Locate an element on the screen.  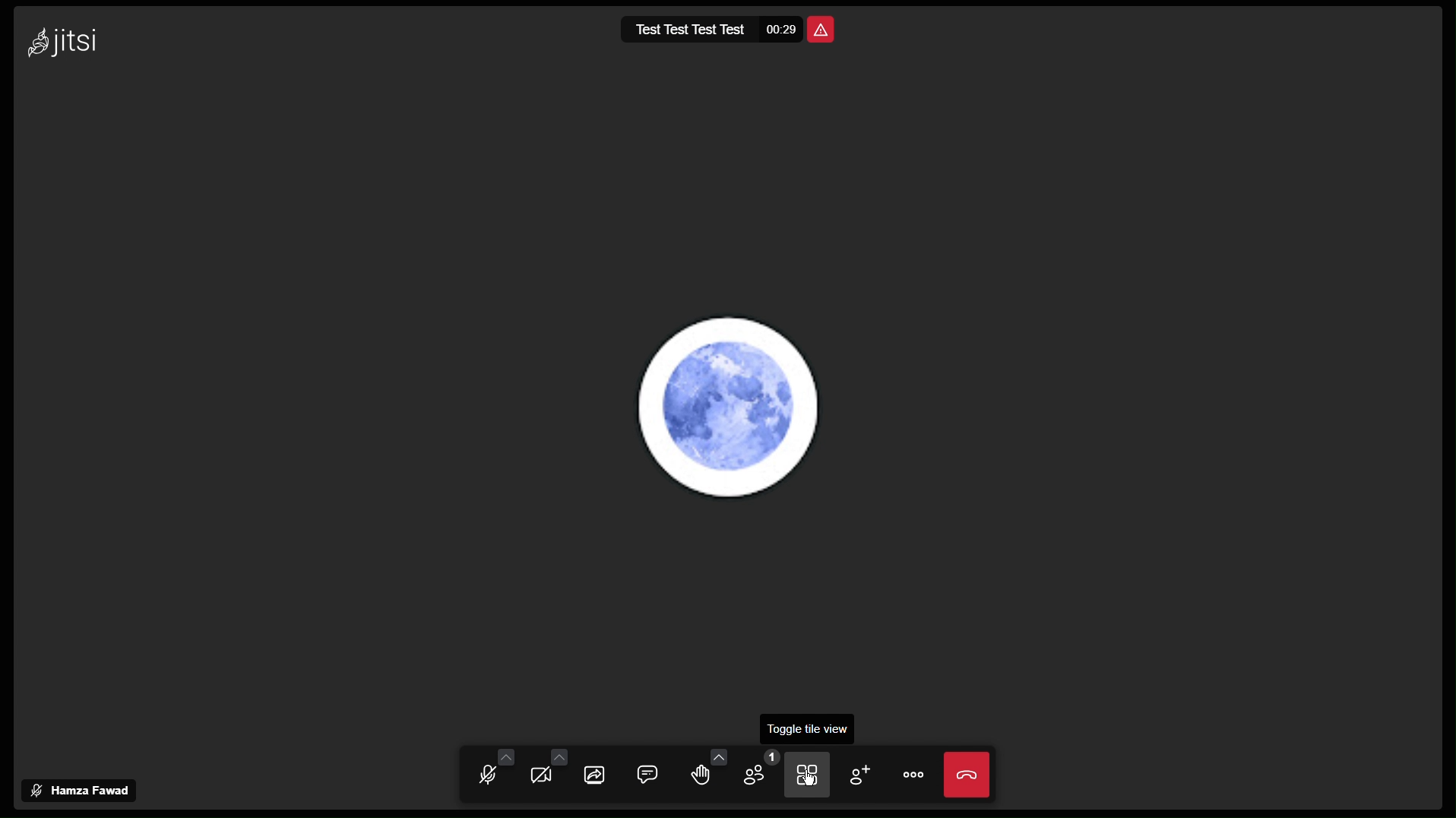
Audio is located at coordinates (493, 774).